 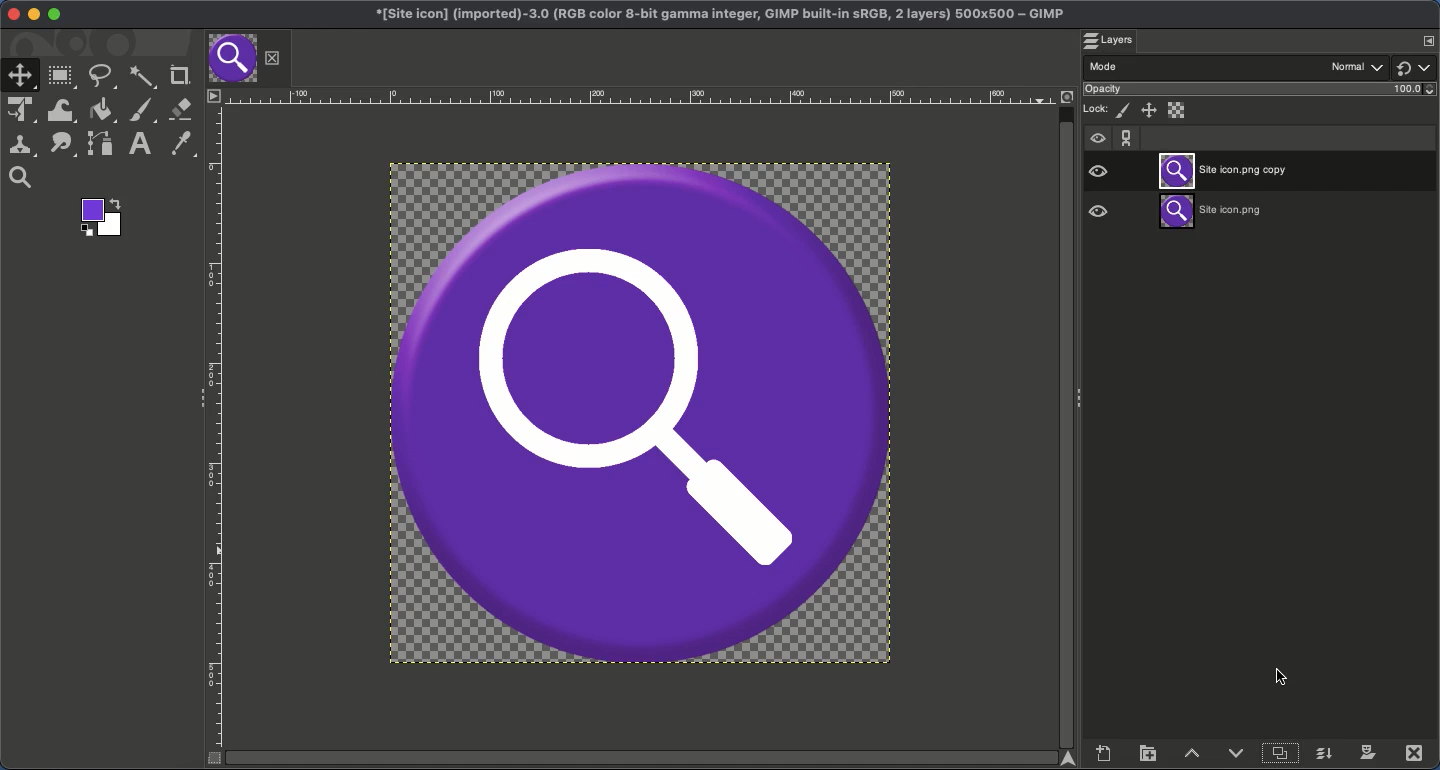 I want to click on Fuzzy selector, so click(x=144, y=77).